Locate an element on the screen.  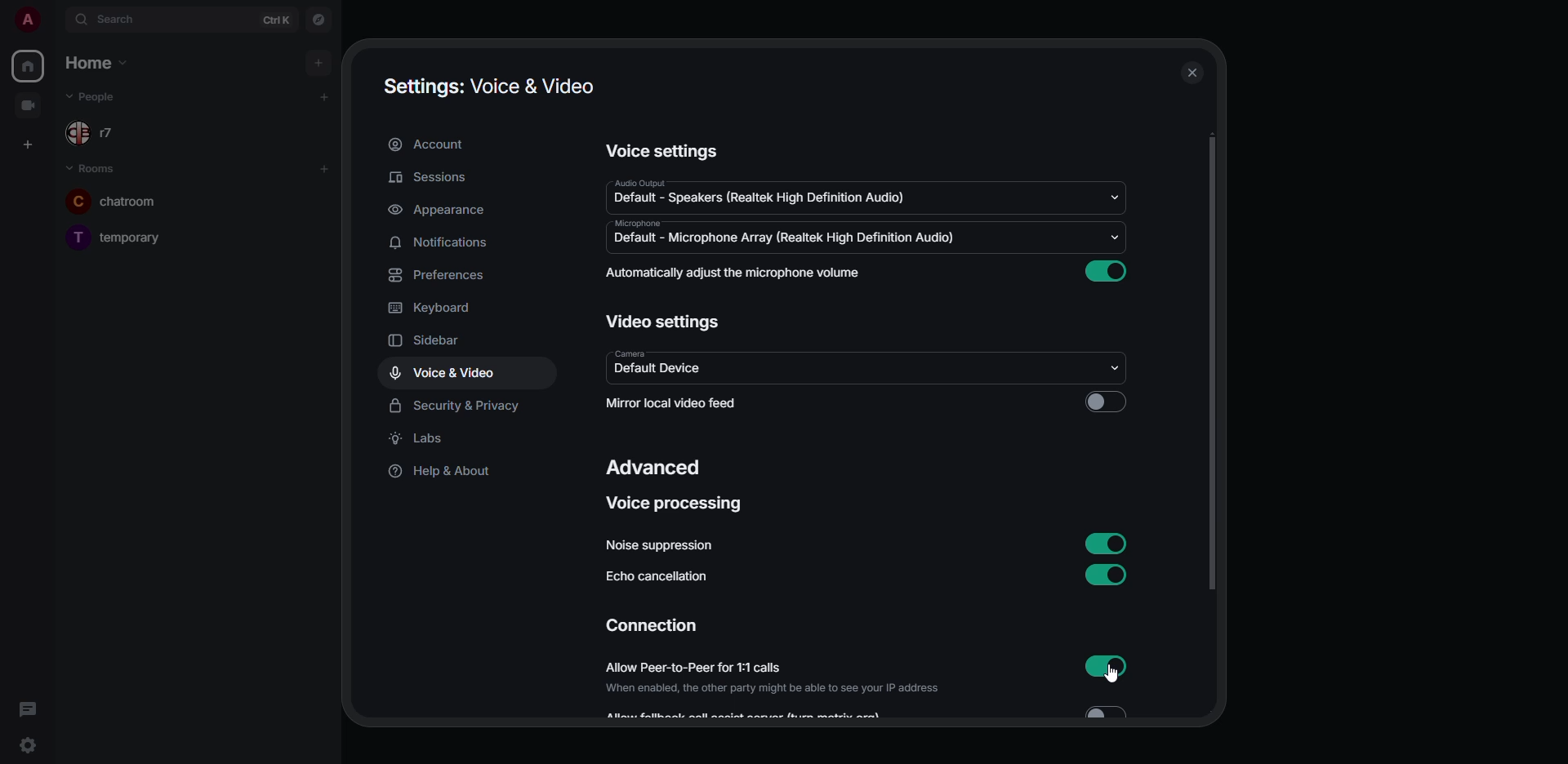
help & about is located at coordinates (439, 470).